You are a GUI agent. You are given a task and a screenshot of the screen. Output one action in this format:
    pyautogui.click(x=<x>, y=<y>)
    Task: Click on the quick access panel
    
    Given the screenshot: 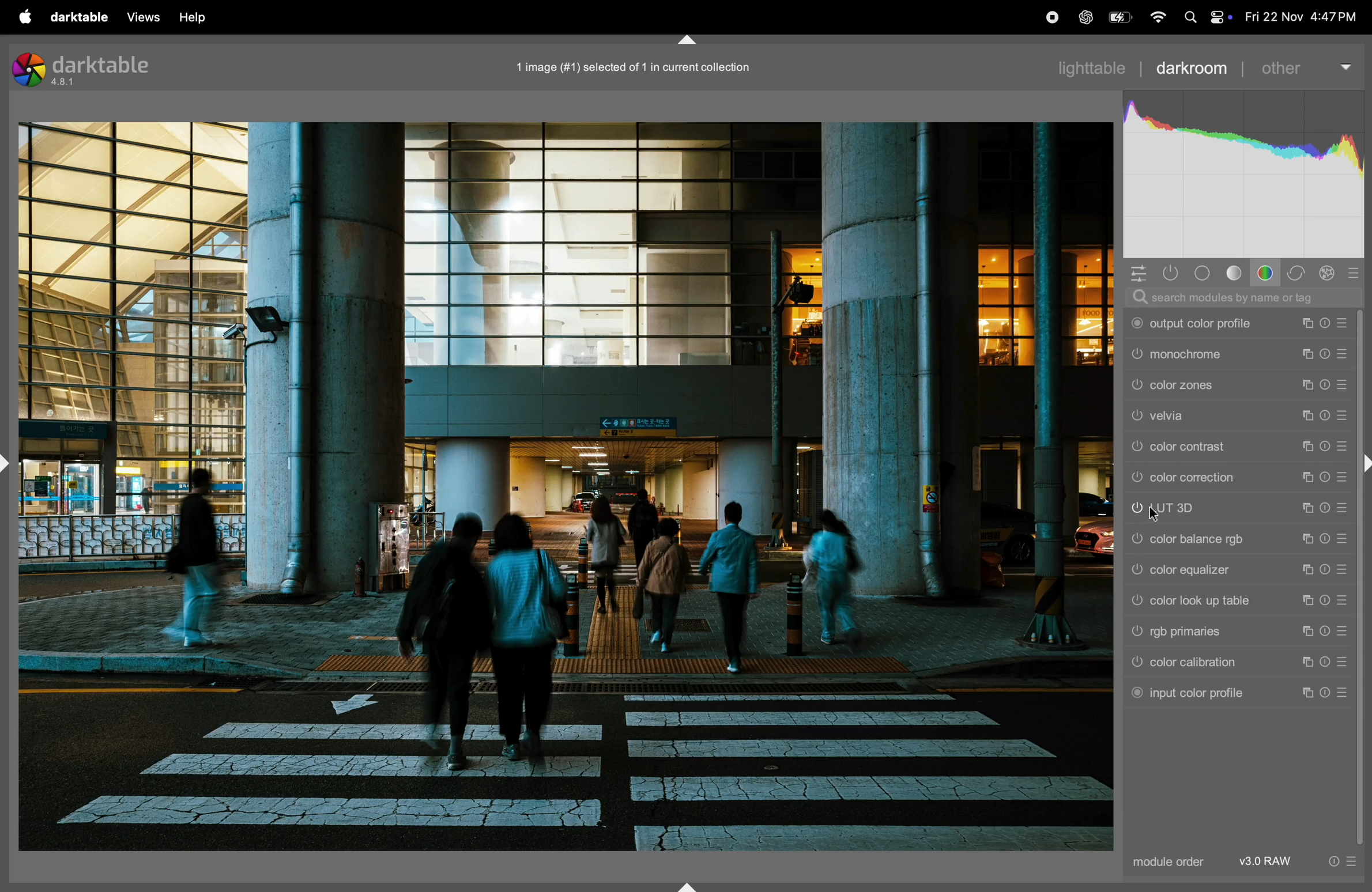 What is the action you would take?
    pyautogui.click(x=1134, y=272)
    